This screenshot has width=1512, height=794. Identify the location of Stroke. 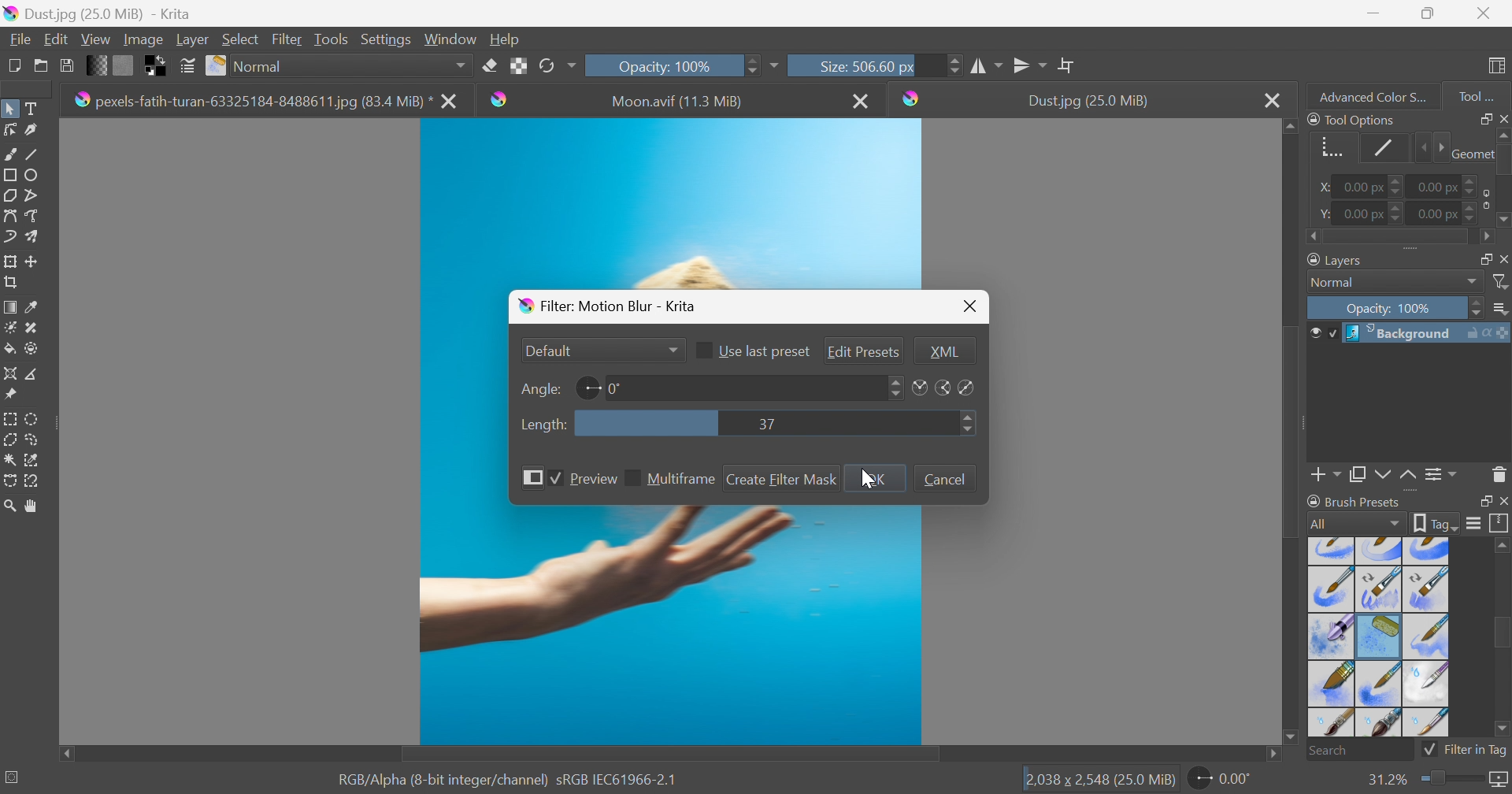
(1384, 147).